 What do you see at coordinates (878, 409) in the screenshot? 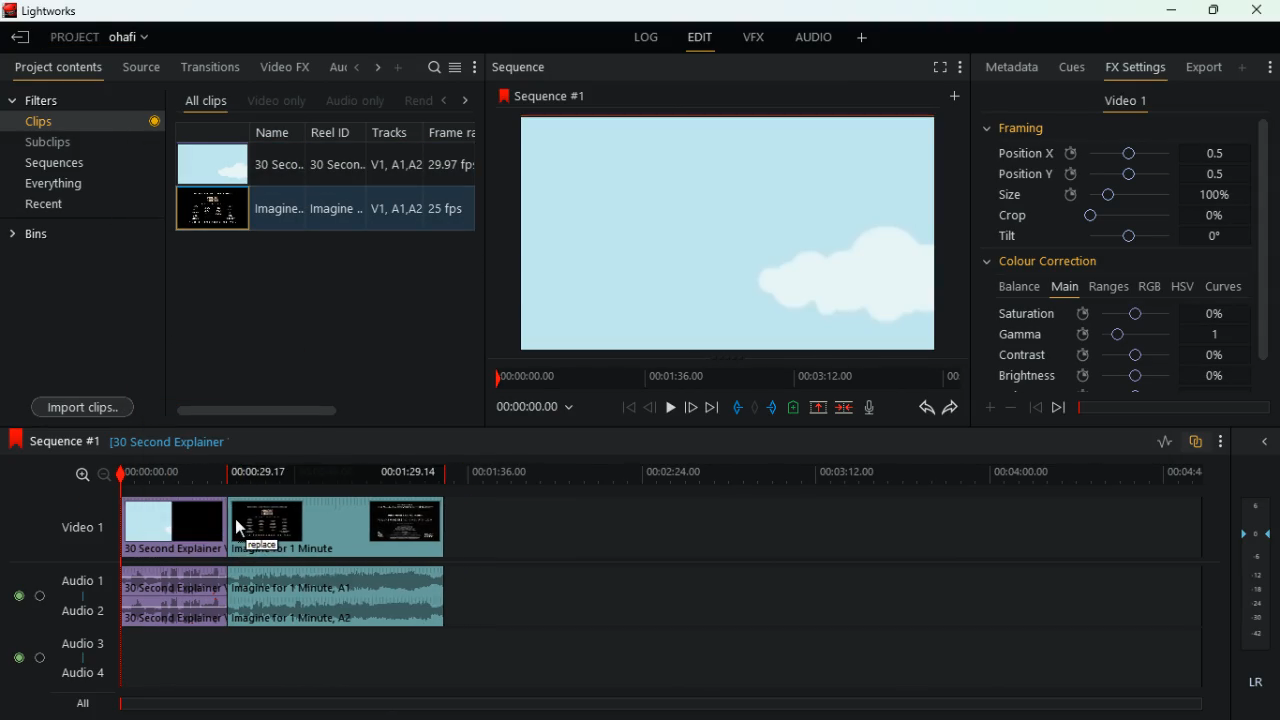
I see `mic` at bounding box center [878, 409].